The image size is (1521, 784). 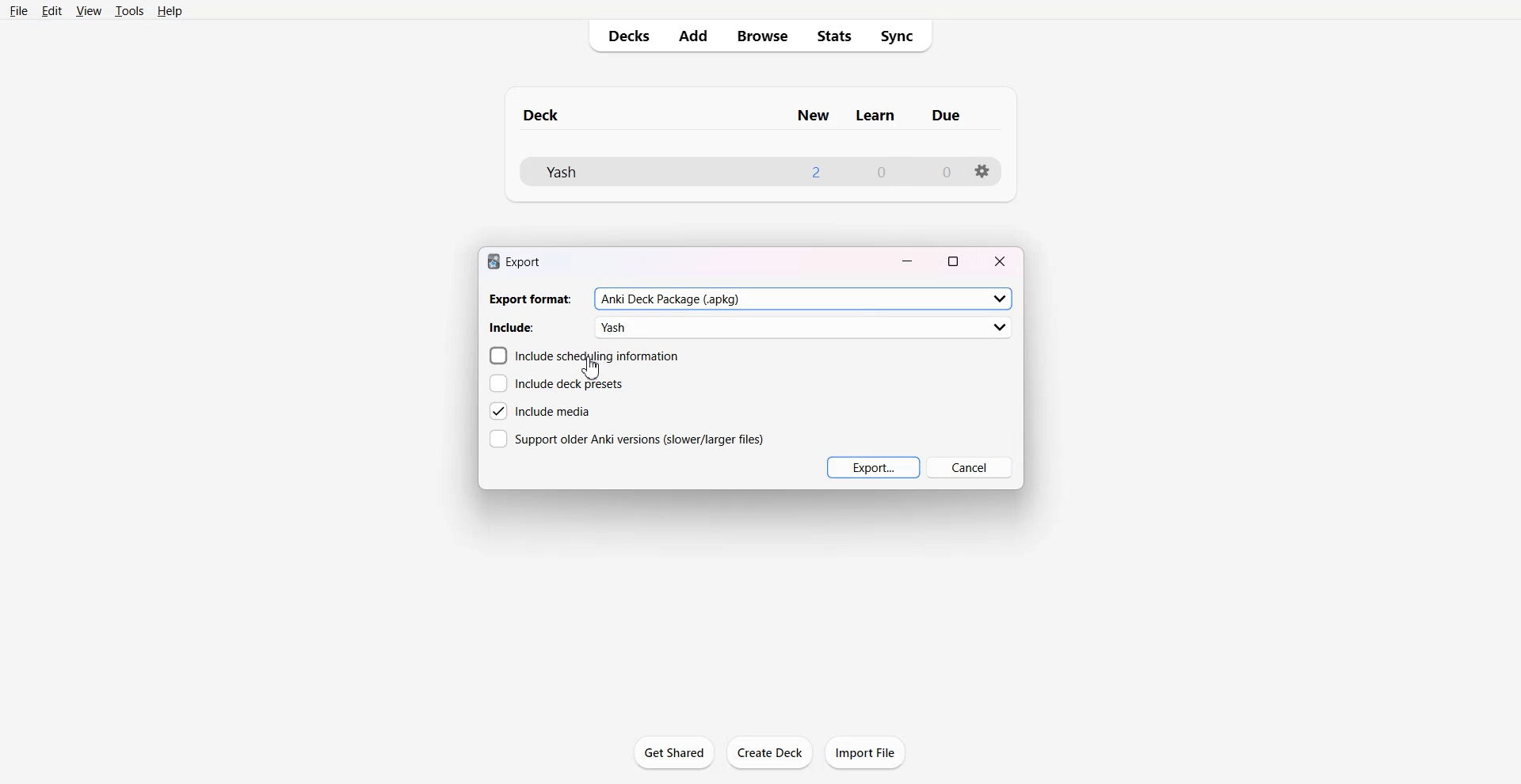 What do you see at coordinates (608, 172) in the screenshot?
I see `Deck File` at bounding box center [608, 172].